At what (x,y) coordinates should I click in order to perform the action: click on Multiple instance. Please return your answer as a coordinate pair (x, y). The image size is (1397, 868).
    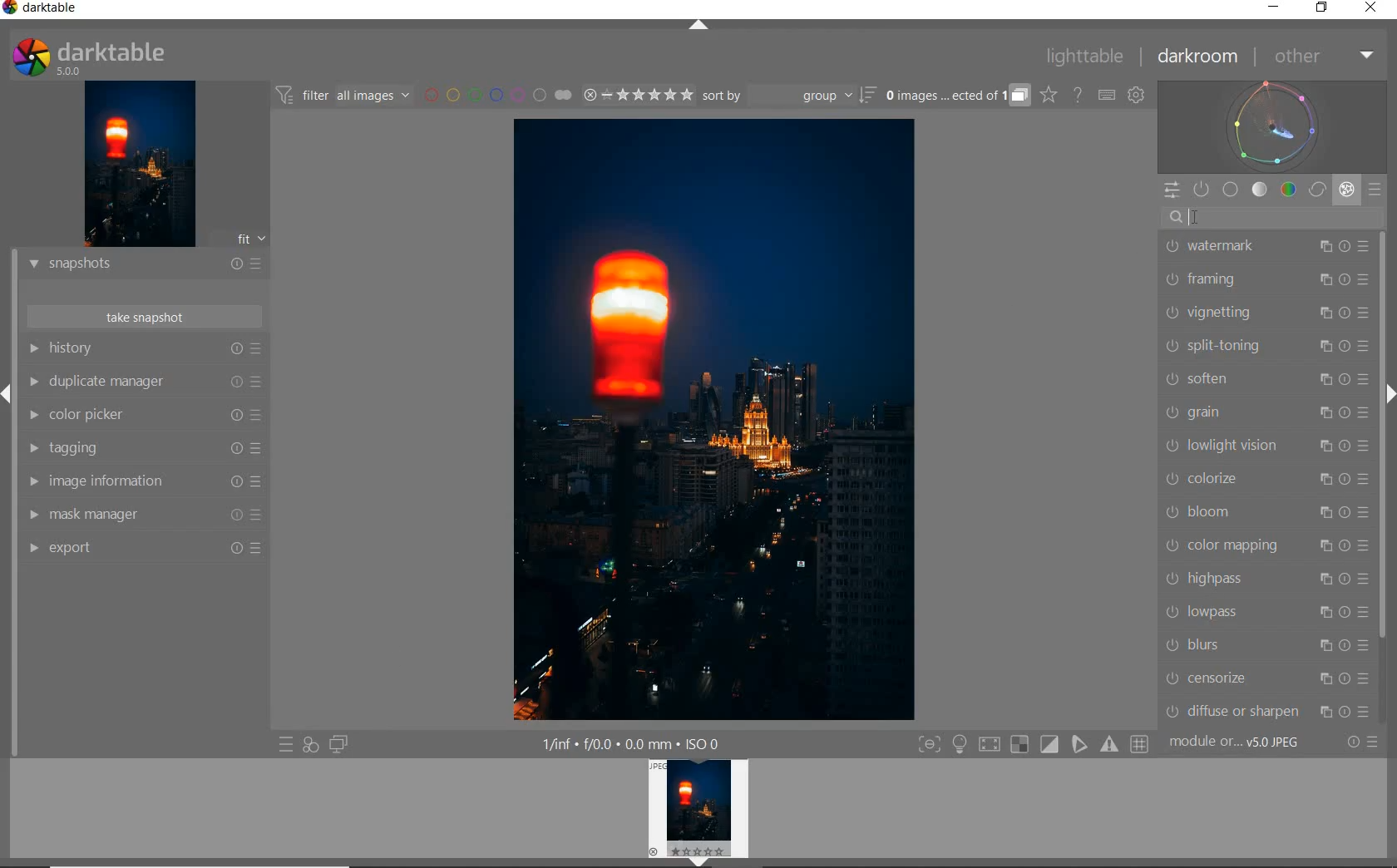
    Looking at the image, I should click on (1323, 247).